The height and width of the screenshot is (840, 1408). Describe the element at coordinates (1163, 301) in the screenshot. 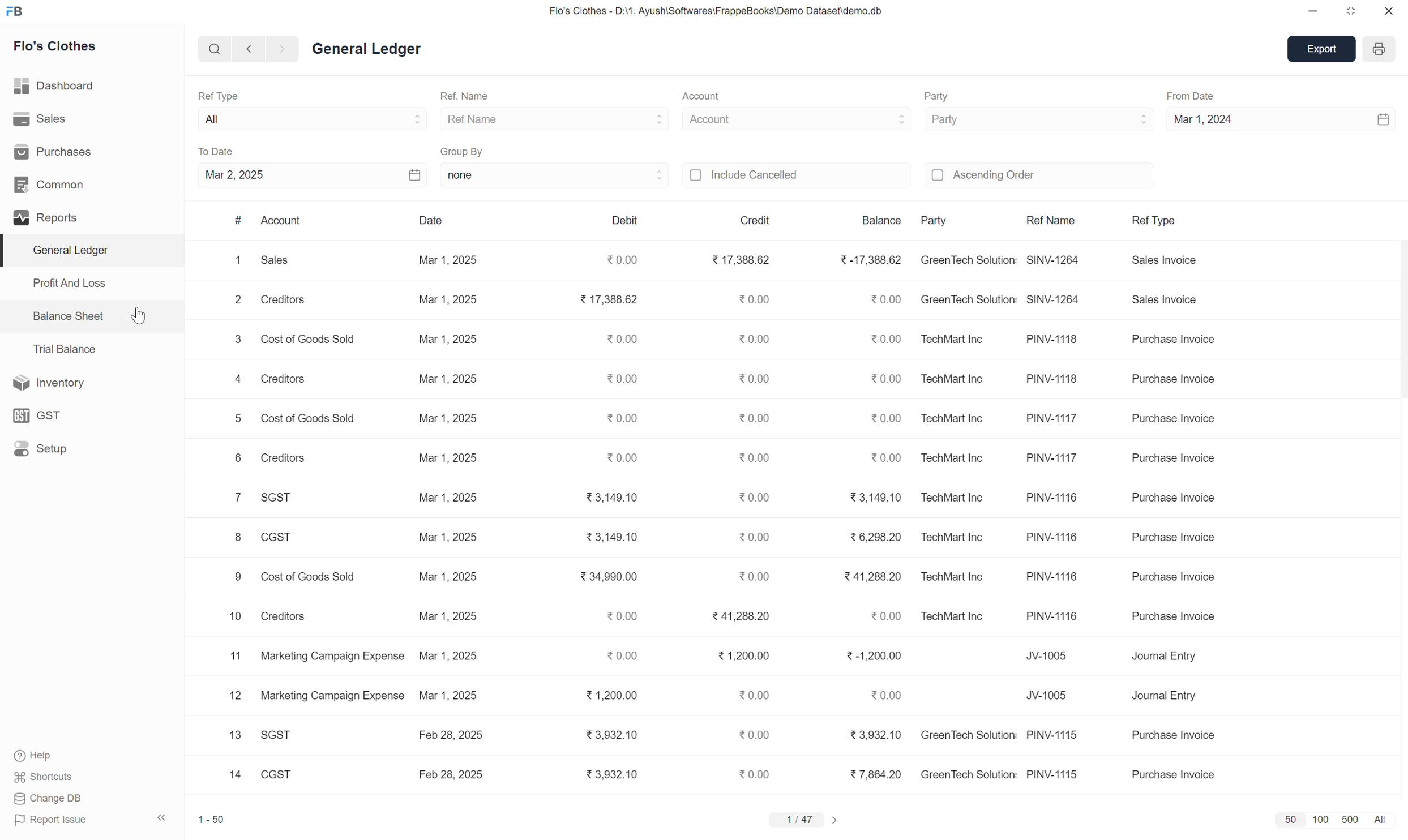

I see `sales invoice` at that location.